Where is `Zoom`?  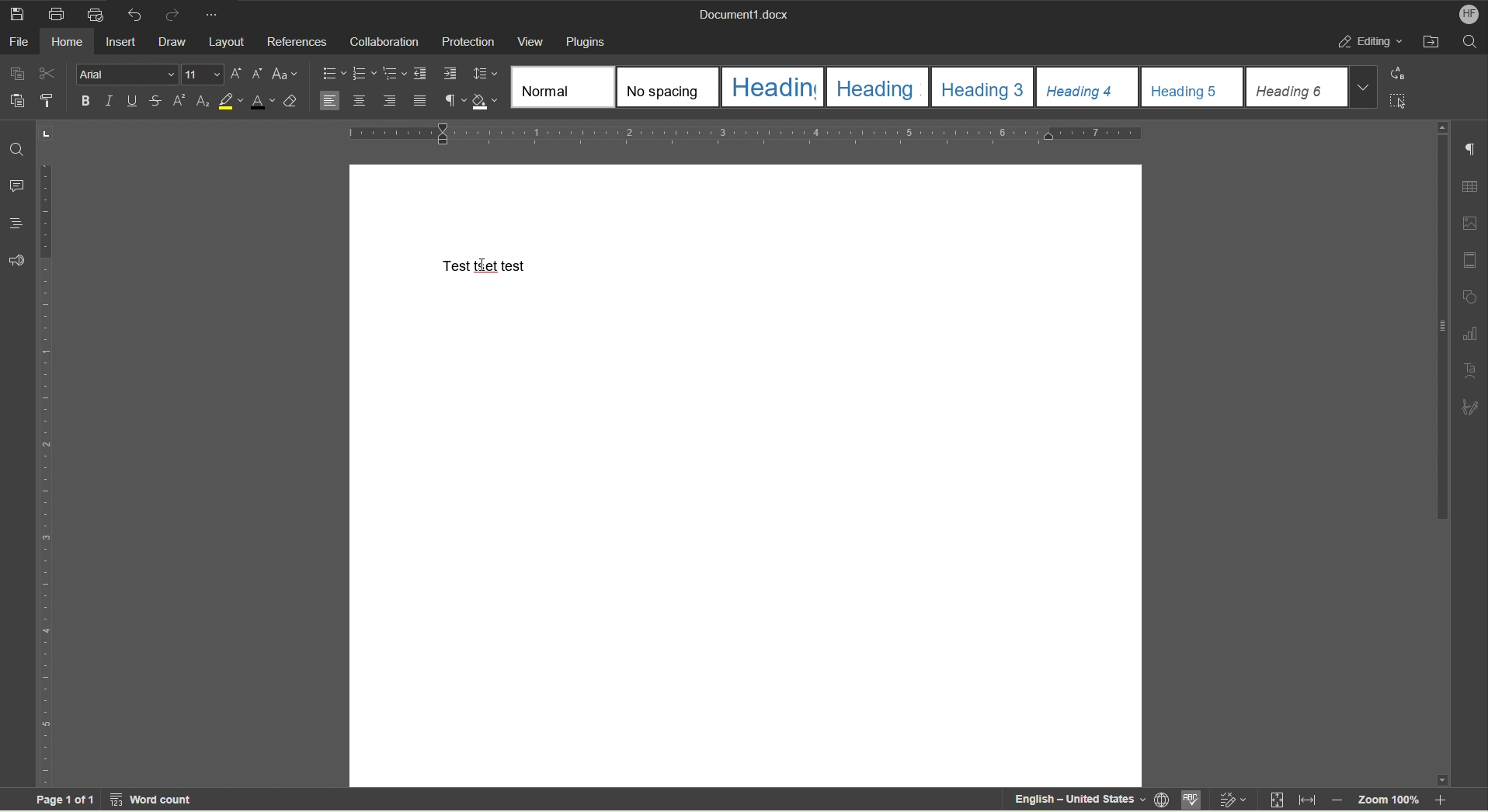
Zoom is located at coordinates (1395, 799).